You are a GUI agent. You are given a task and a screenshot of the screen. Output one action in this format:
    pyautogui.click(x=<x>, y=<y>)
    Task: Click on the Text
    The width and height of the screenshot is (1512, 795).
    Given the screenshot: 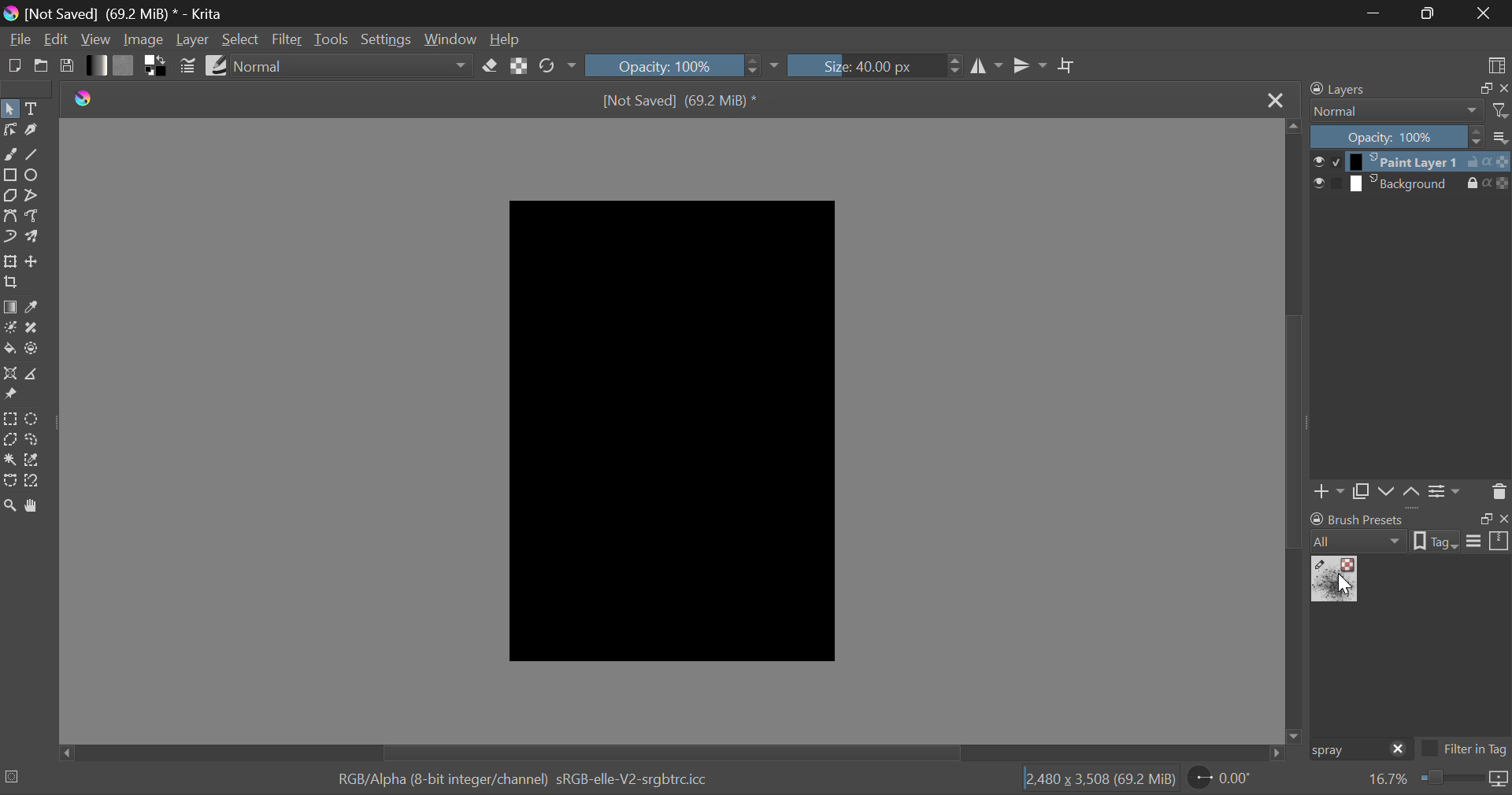 What is the action you would take?
    pyautogui.click(x=35, y=107)
    